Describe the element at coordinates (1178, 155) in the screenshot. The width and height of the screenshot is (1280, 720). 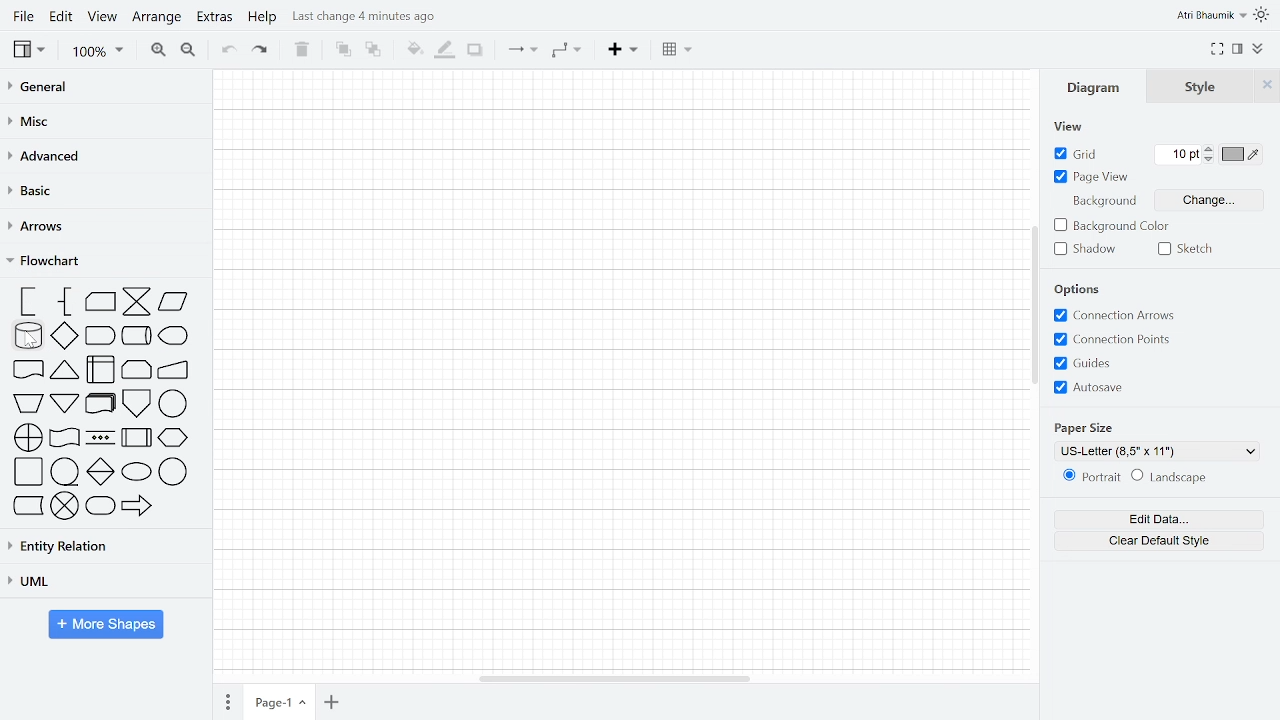
I see `Current grid pt` at that location.